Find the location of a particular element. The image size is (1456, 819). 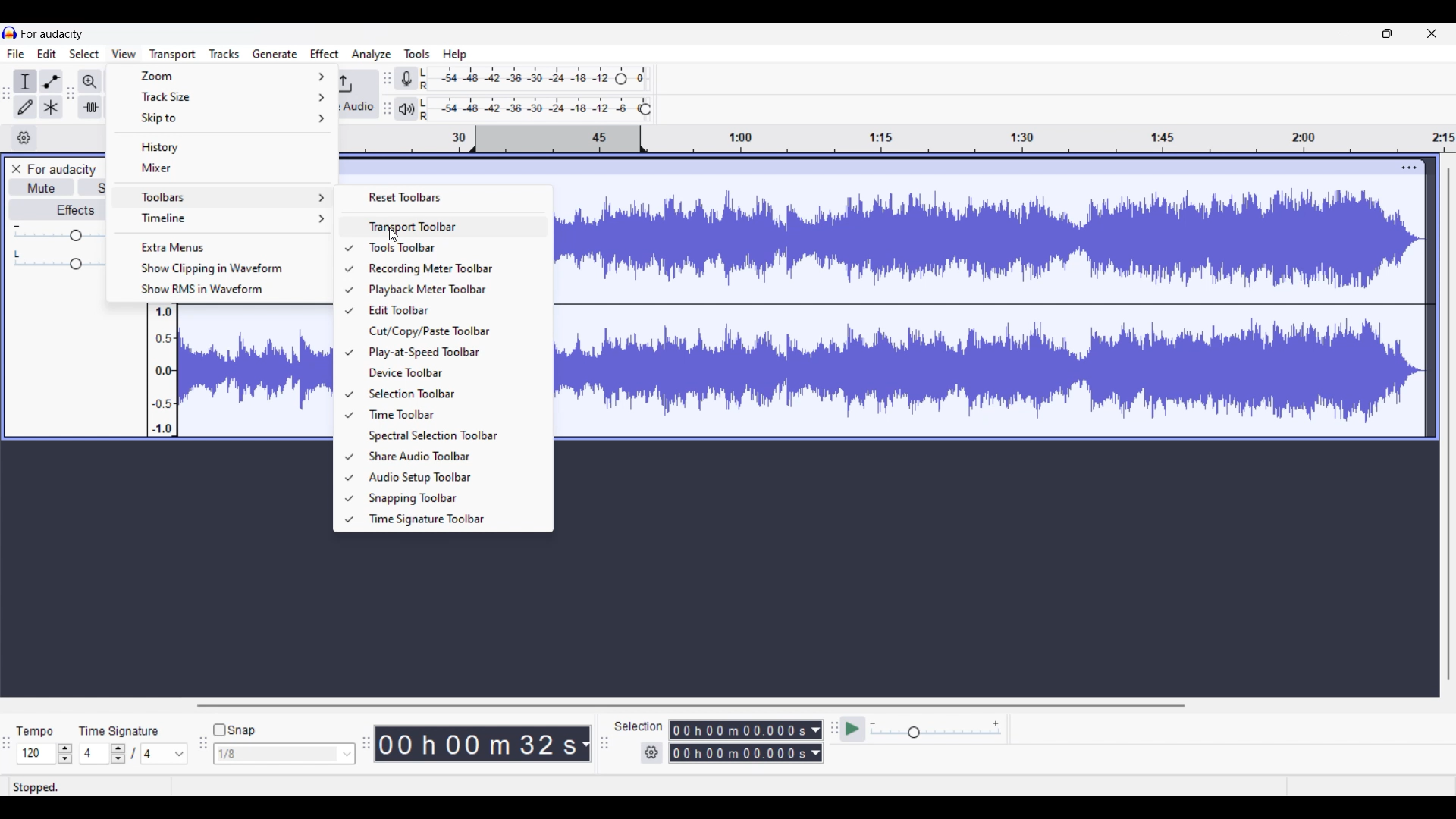

Snap toggle is located at coordinates (234, 730).